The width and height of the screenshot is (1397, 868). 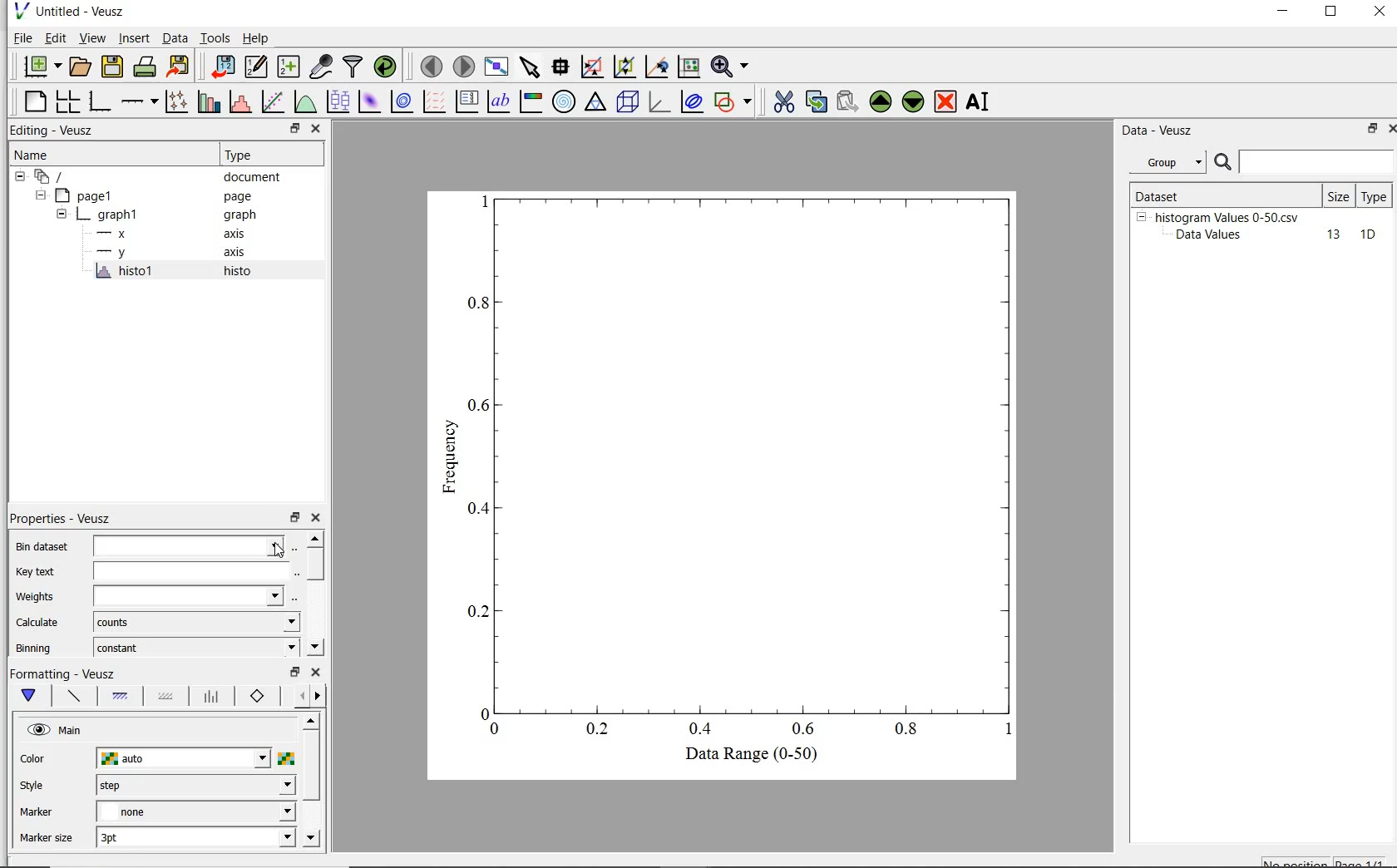 What do you see at coordinates (111, 217) in the screenshot?
I see `graph1` at bounding box center [111, 217].